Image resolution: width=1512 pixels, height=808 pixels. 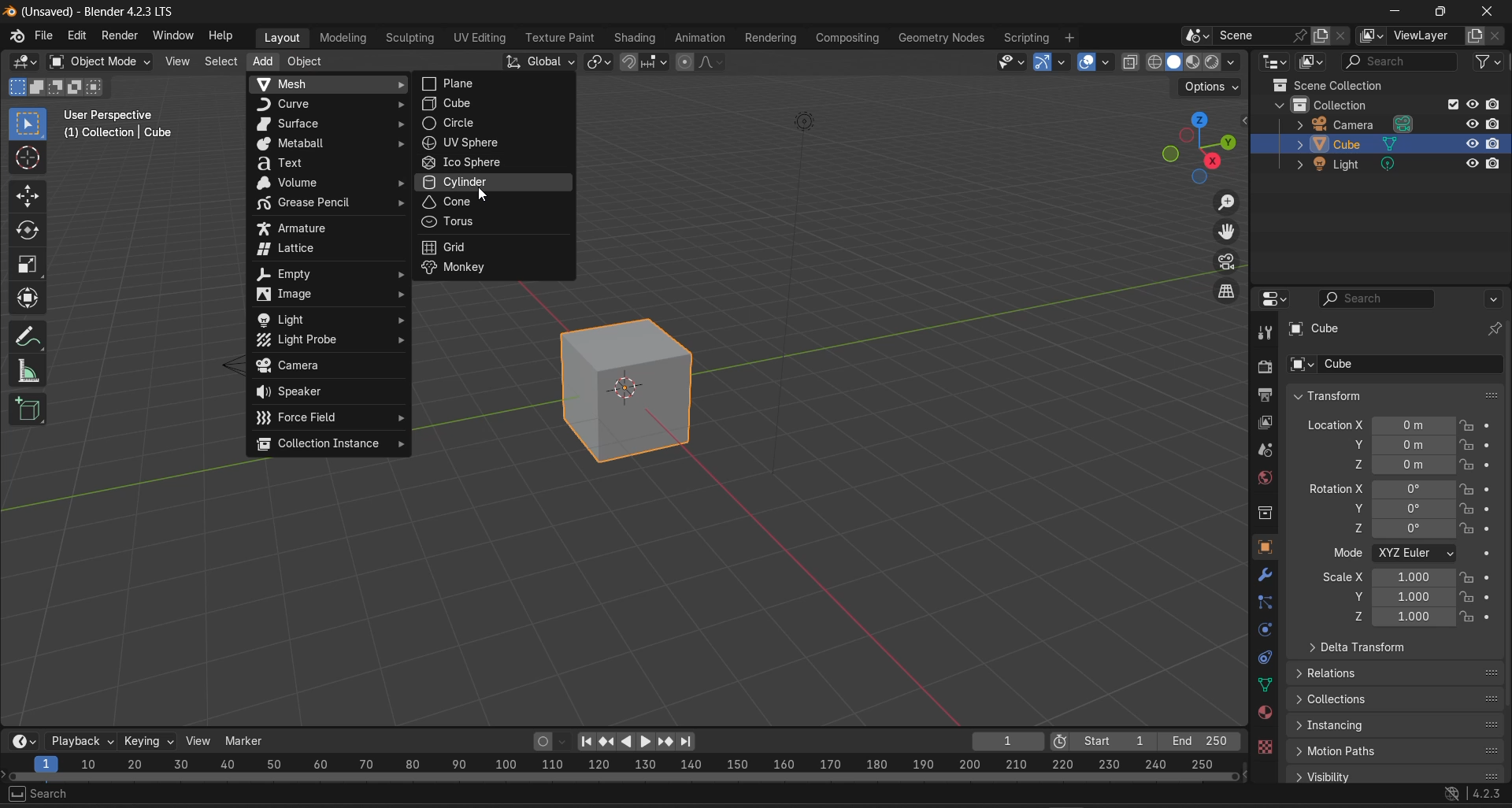 I want to click on camera, so click(x=1358, y=123).